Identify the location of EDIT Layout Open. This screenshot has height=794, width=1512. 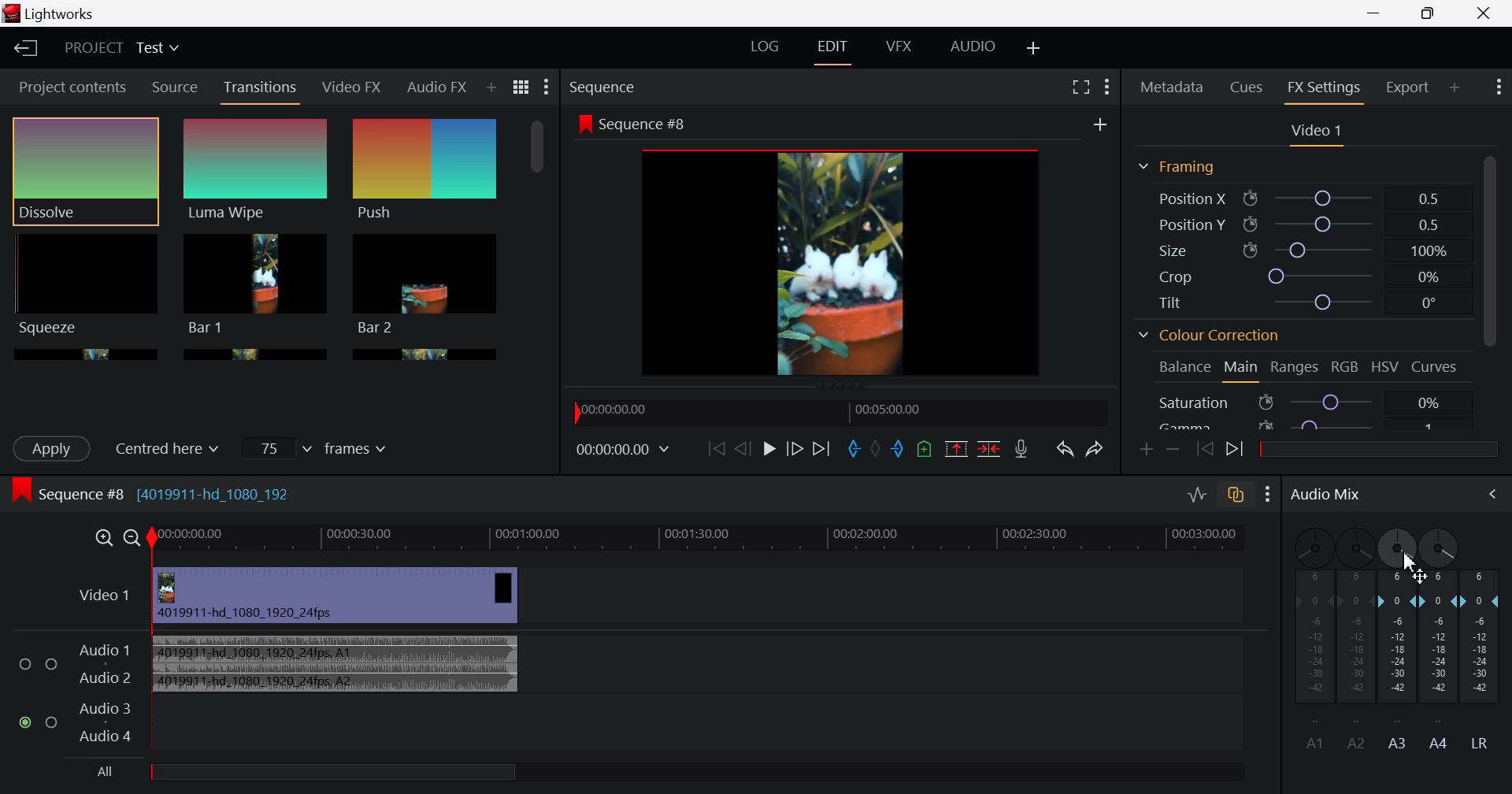
(831, 50).